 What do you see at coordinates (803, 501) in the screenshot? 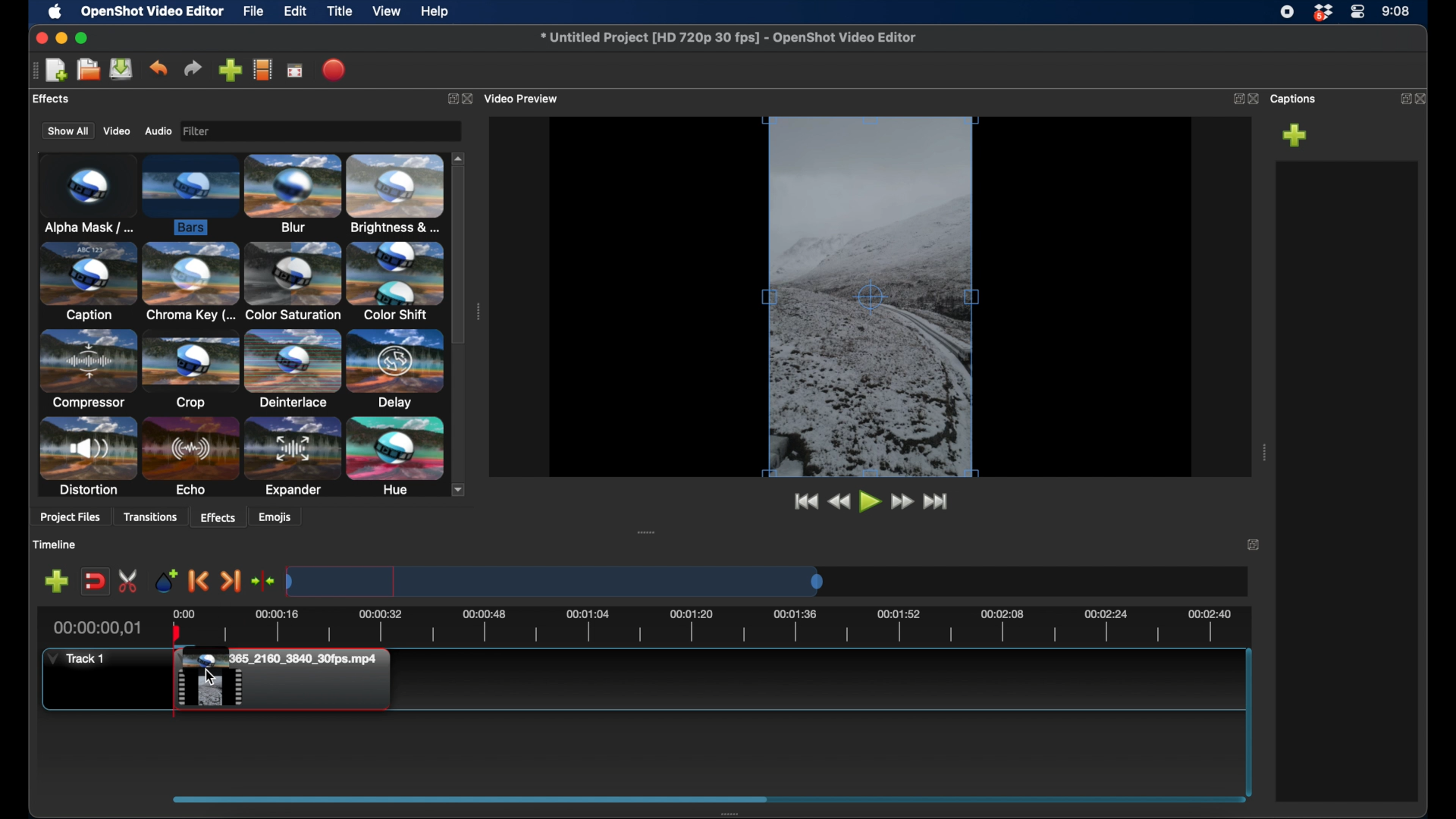
I see `jump to start` at bounding box center [803, 501].